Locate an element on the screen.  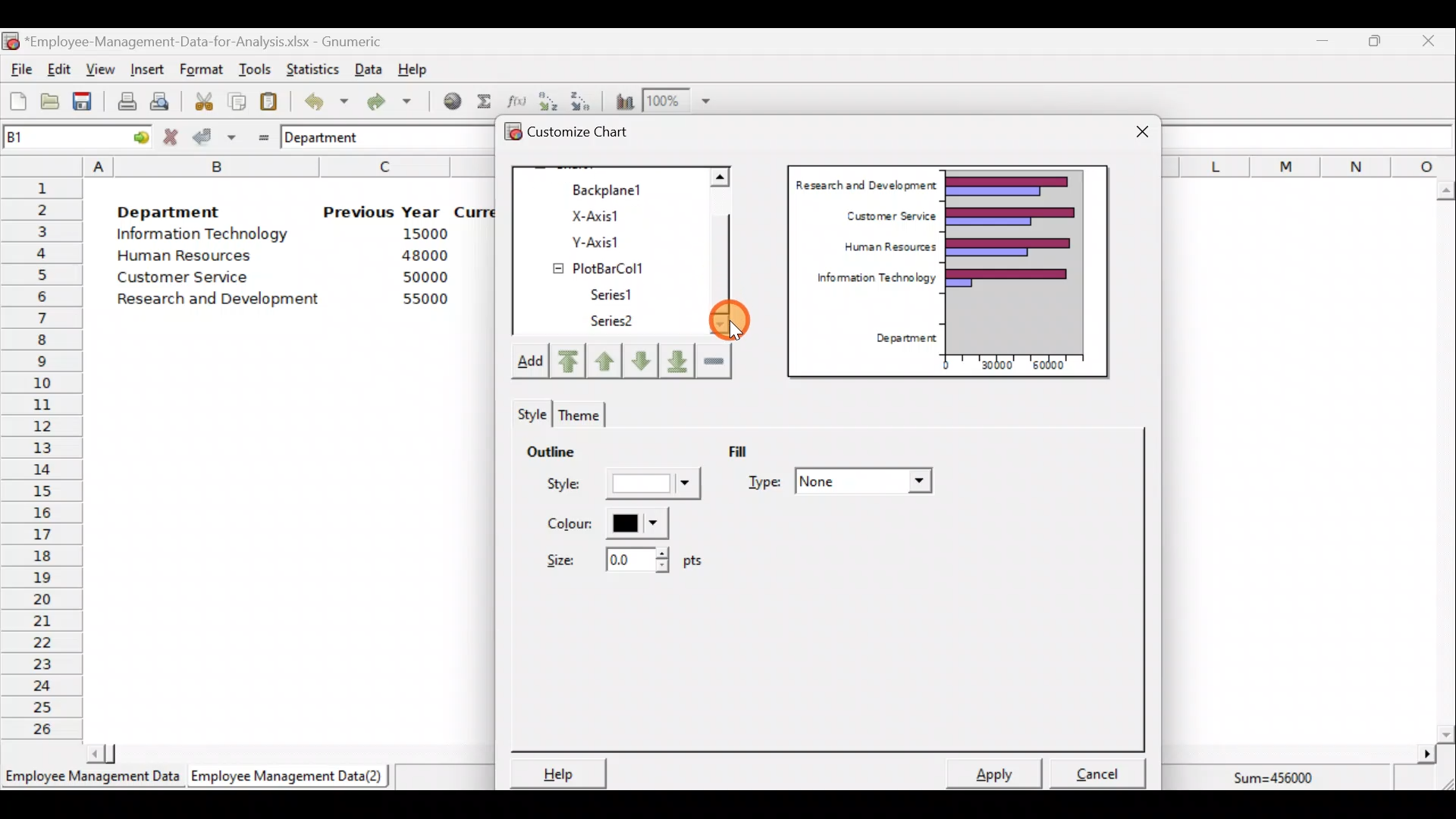
Close is located at coordinates (1142, 133).